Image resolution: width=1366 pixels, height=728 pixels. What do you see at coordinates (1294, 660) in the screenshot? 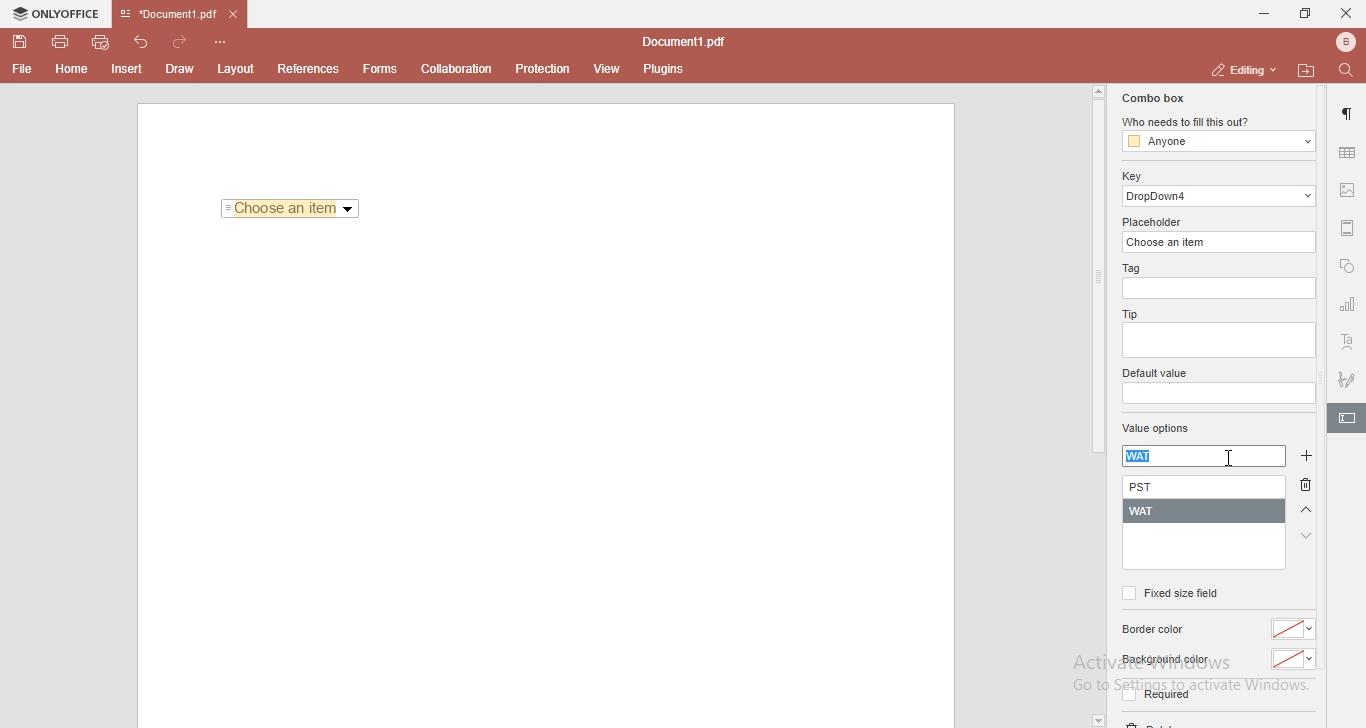
I see `color dropdown` at bounding box center [1294, 660].